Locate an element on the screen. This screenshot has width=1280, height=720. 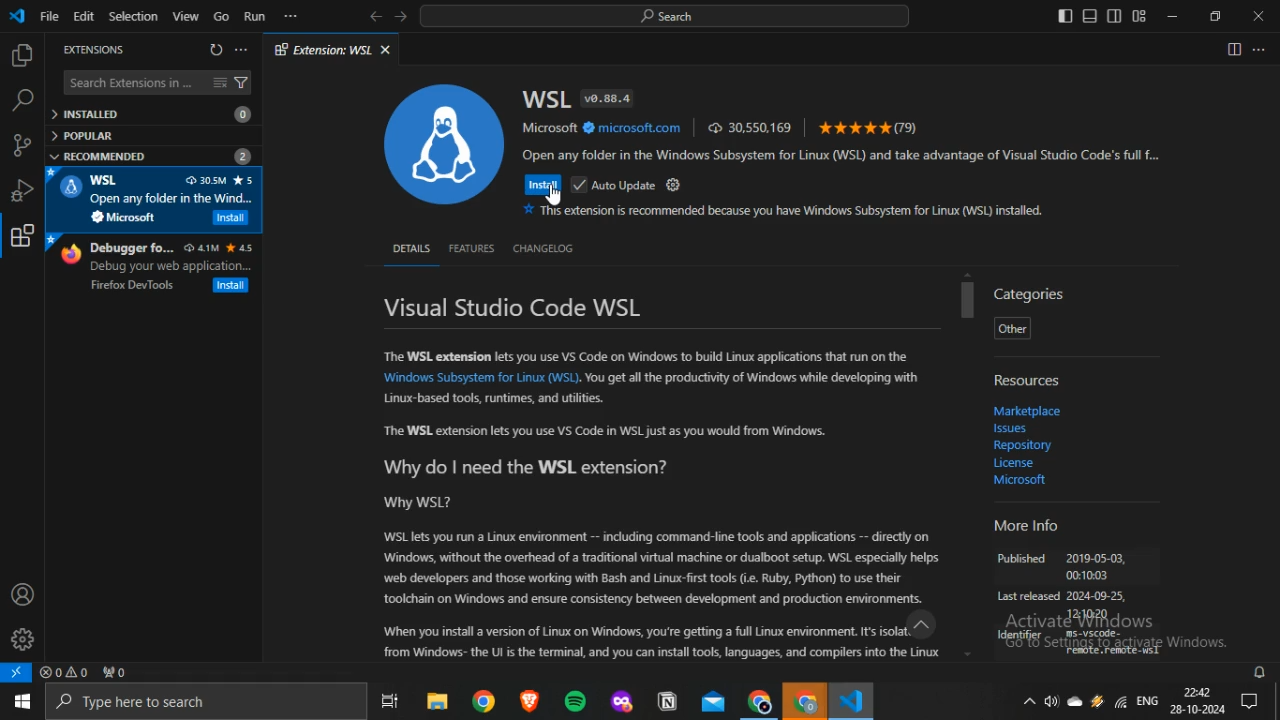
Open any folder in the Windows Subsystem for Linux (WSL) and take advantage of Visual Studio Code's full f... is located at coordinates (845, 156).